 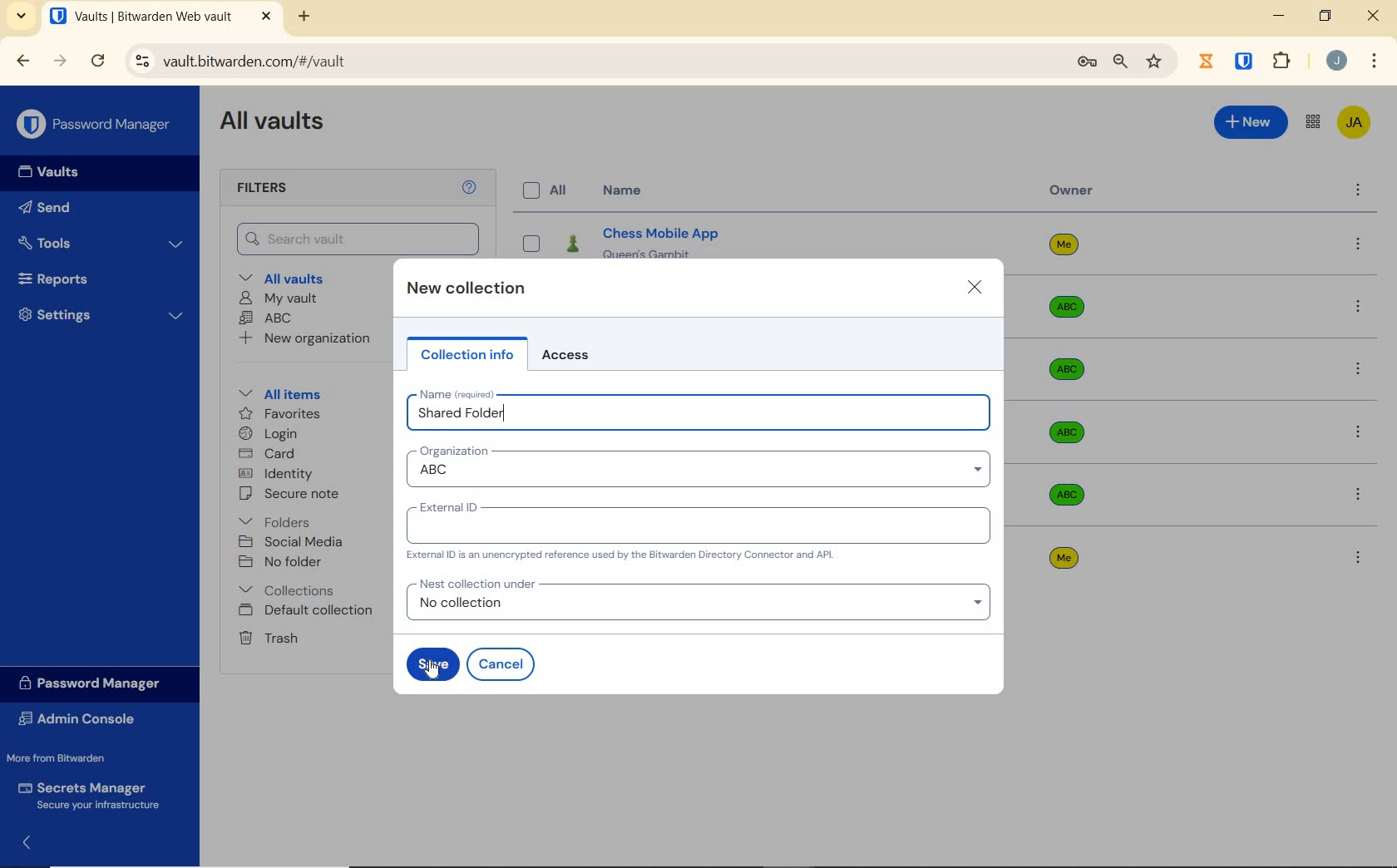 What do you see at coordinates (453, 451) in the screenshot?
I see `Organization` at bounding box center [453, 451].